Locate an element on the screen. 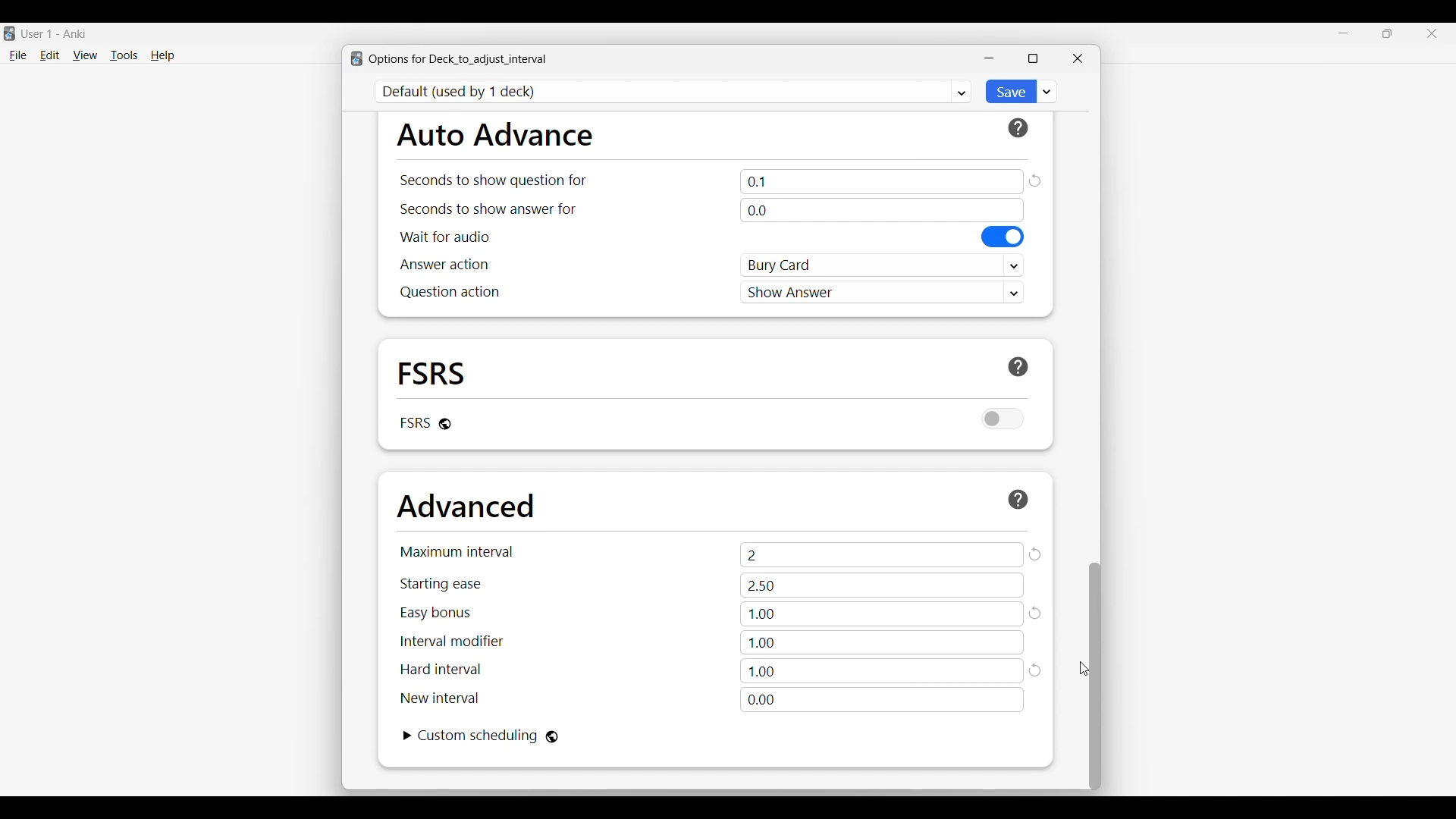 This screenshot has width=1456, height=819. 0.0 is located at coordinates (881, 210).